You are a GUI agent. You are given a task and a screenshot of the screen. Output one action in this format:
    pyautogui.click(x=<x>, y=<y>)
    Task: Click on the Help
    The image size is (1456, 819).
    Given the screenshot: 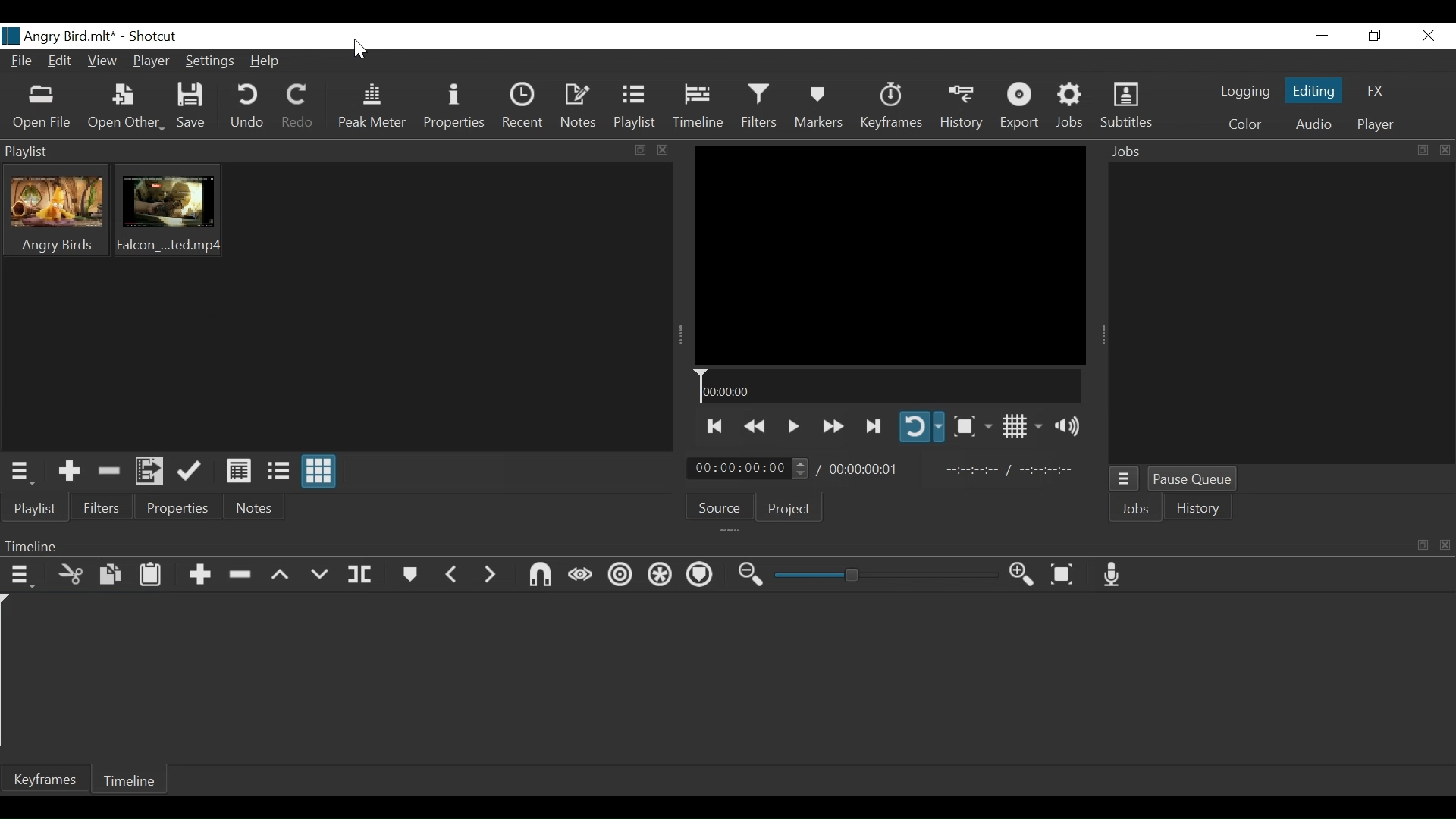 What is the action you would take?
    pyautogui.click(x=266, y=61)
    